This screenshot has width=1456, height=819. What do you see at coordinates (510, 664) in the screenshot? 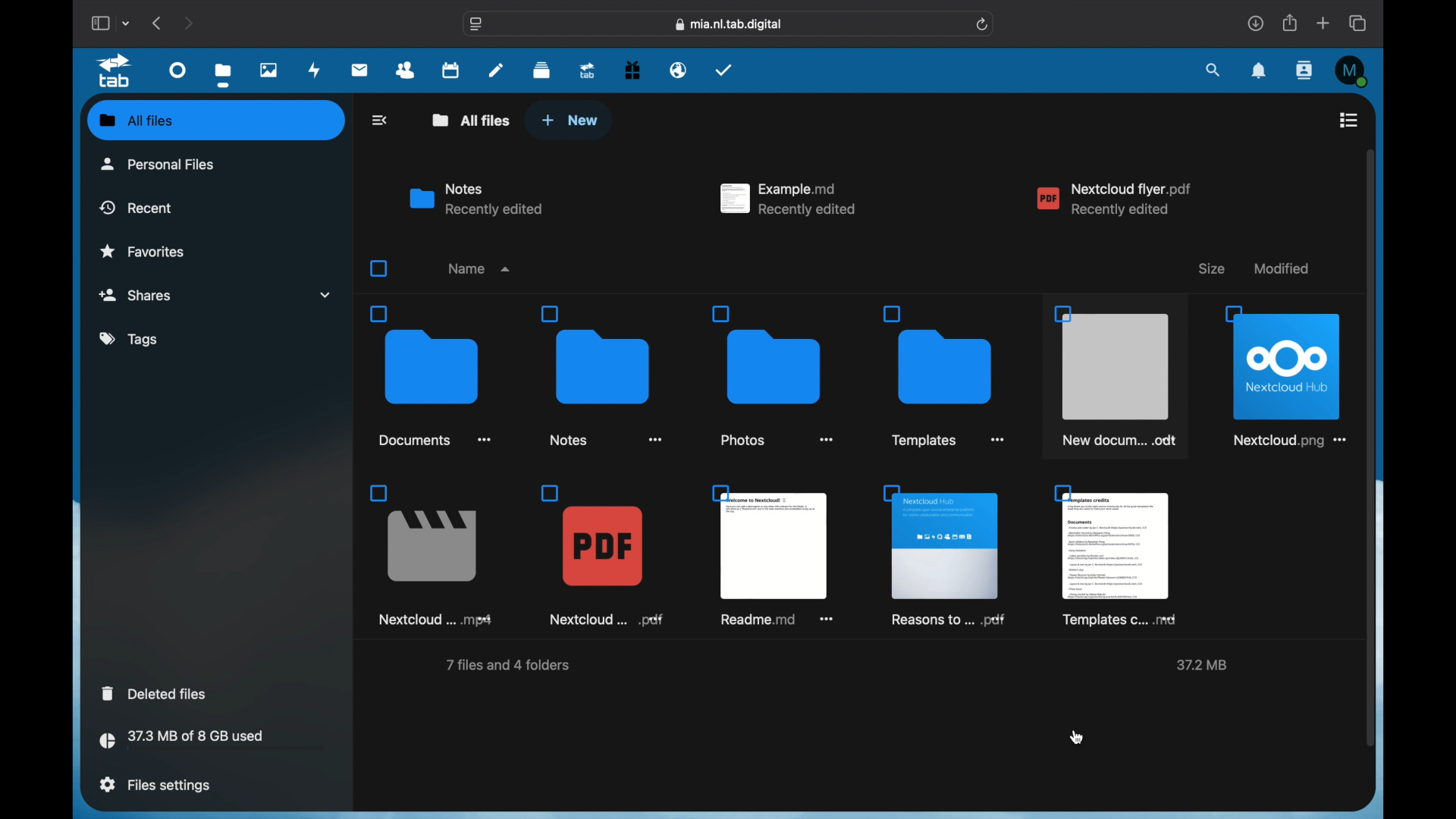
I see `7 files and 4 folders` at bounding box center [510, 664].